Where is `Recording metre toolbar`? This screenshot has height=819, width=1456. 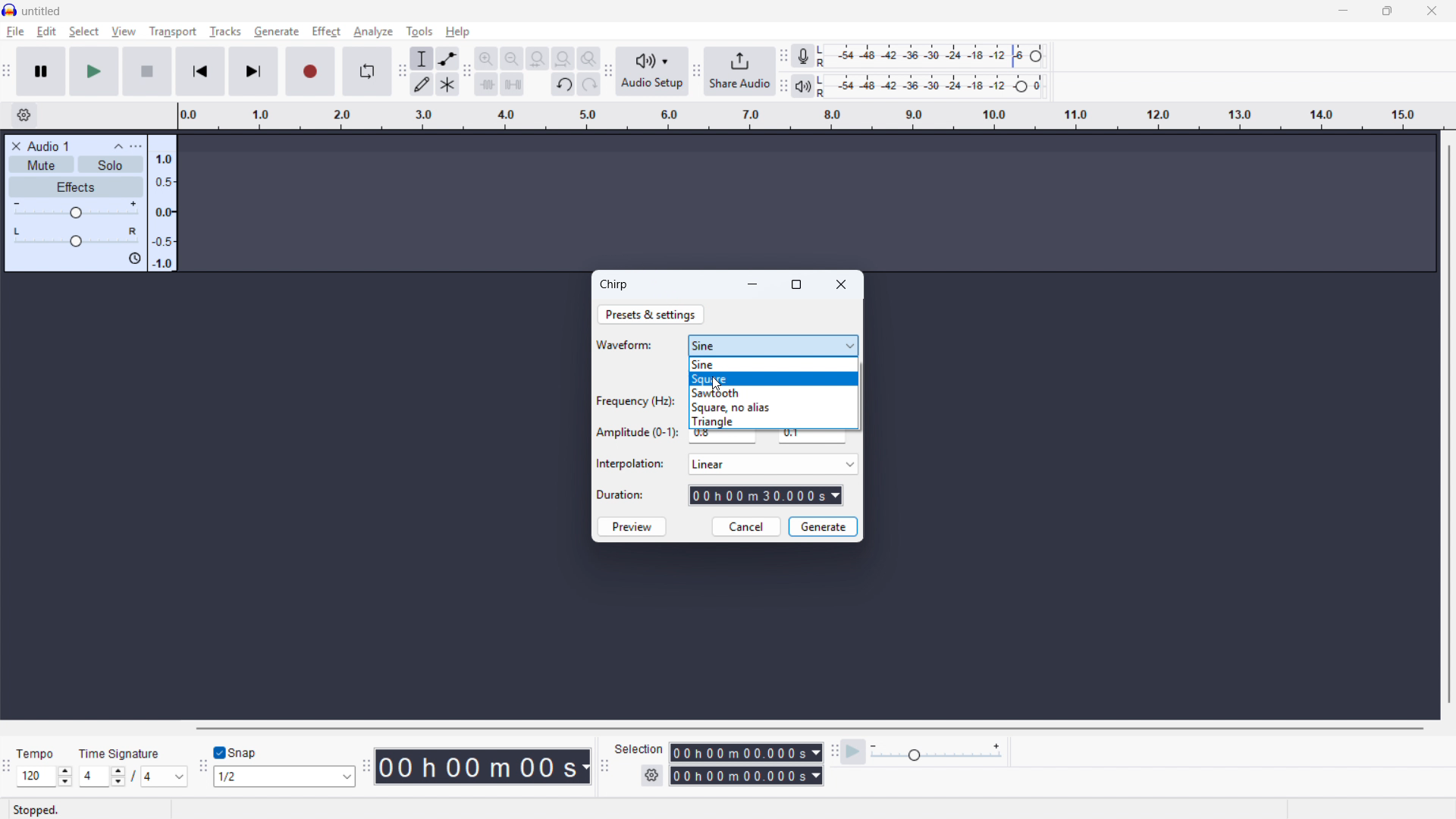
Recording metre toolbar is located at coordinates (783, 55).